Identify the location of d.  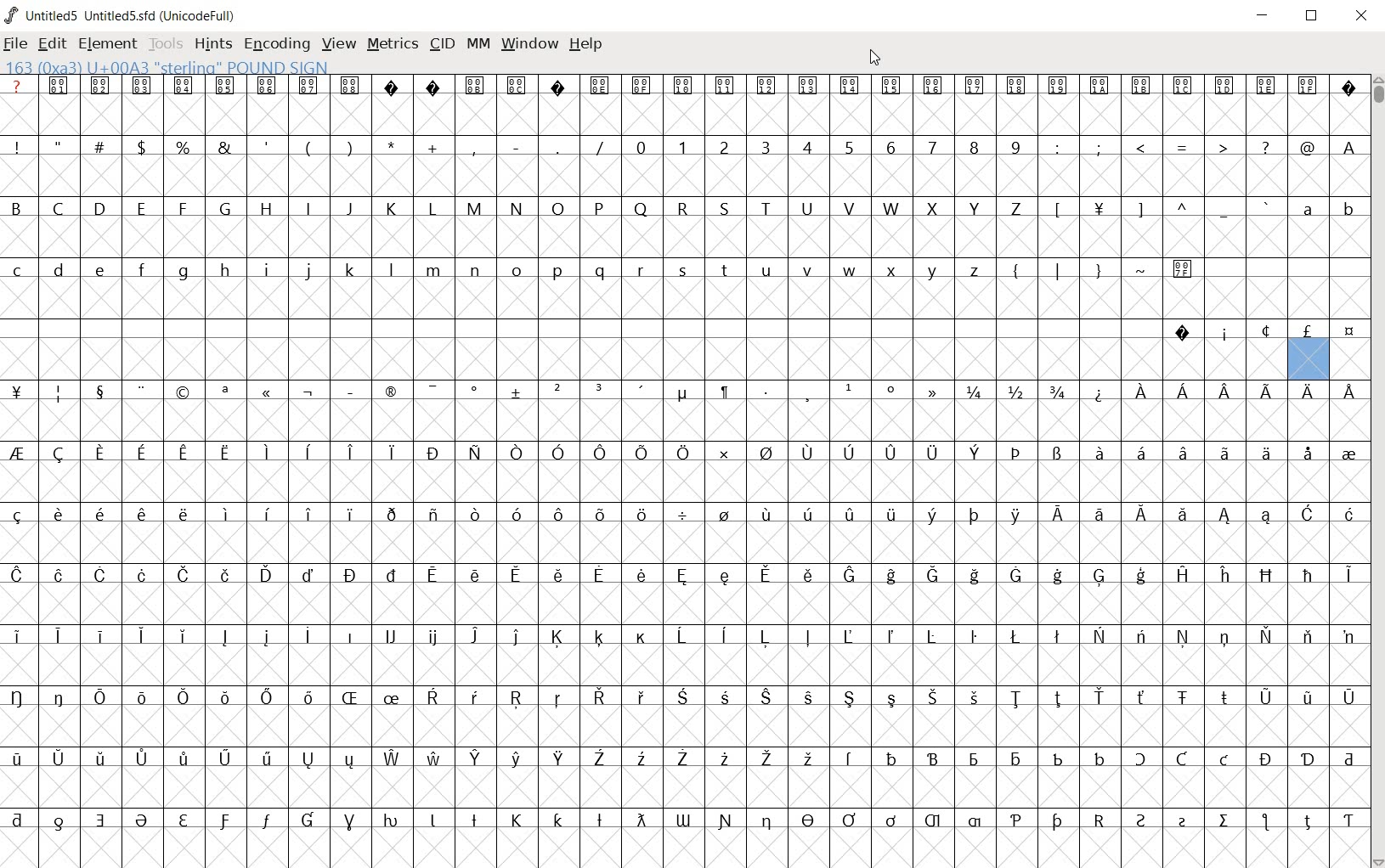
(59, 272).